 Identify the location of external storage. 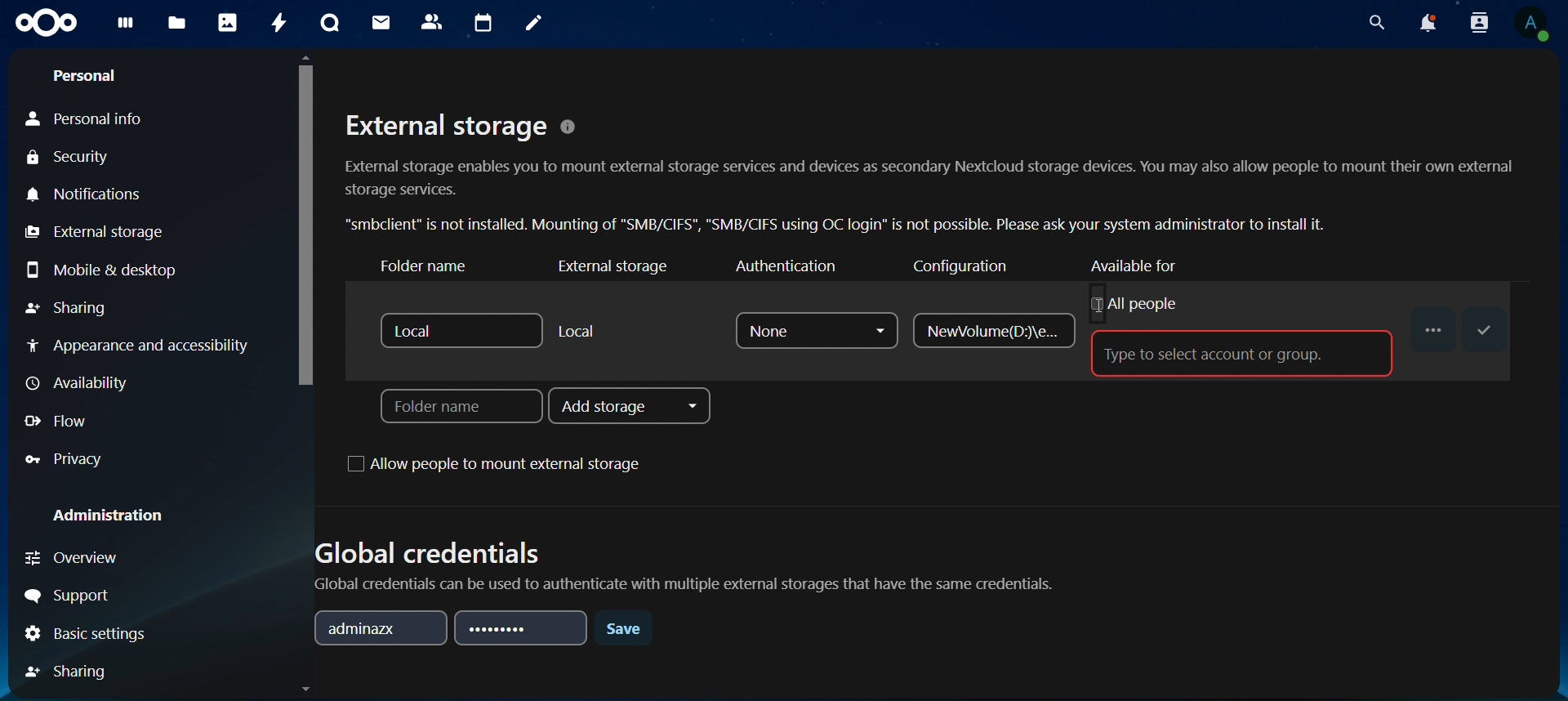
(612, 267).